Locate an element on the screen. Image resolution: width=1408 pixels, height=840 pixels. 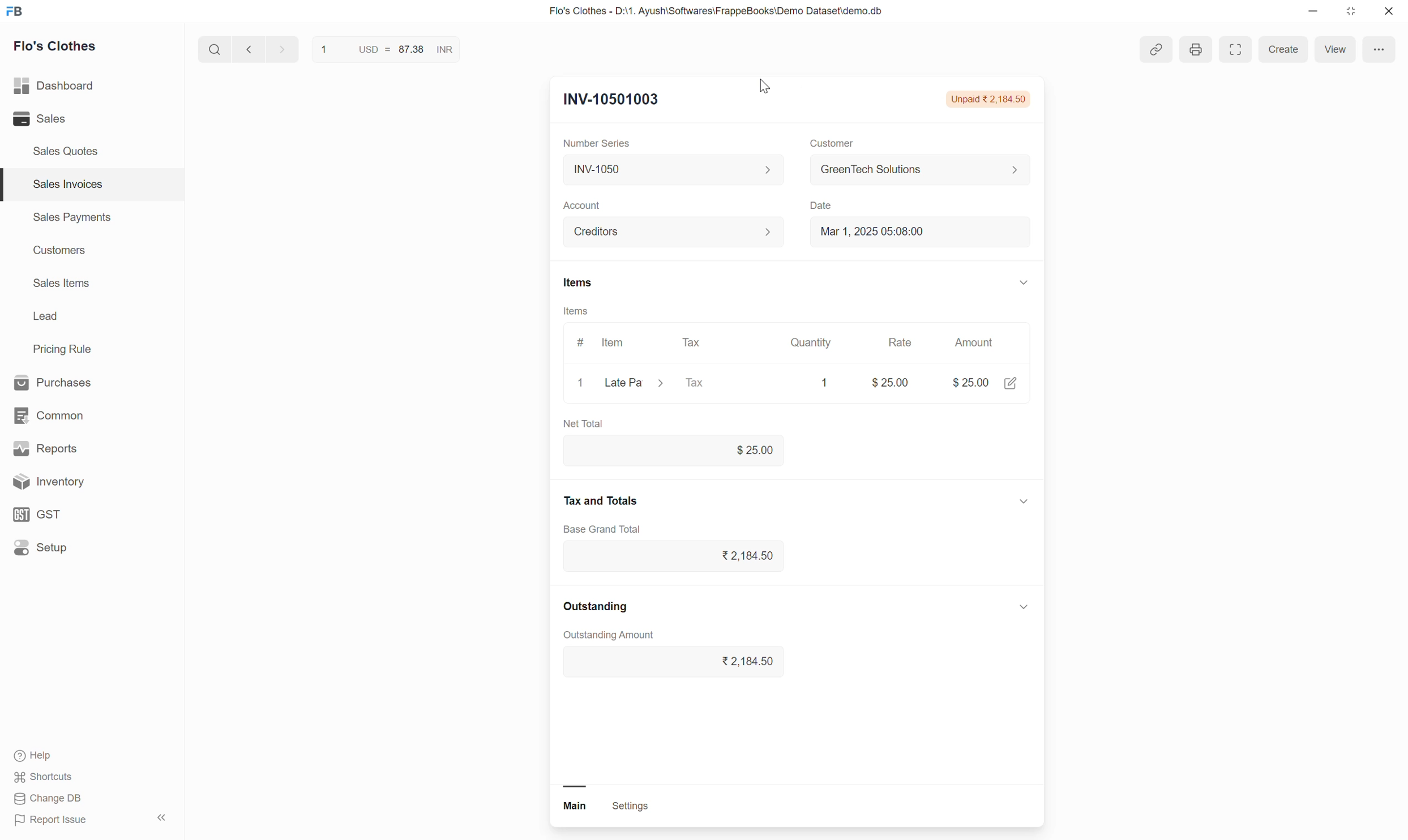
resize  is located at coordinates (1355, 14).